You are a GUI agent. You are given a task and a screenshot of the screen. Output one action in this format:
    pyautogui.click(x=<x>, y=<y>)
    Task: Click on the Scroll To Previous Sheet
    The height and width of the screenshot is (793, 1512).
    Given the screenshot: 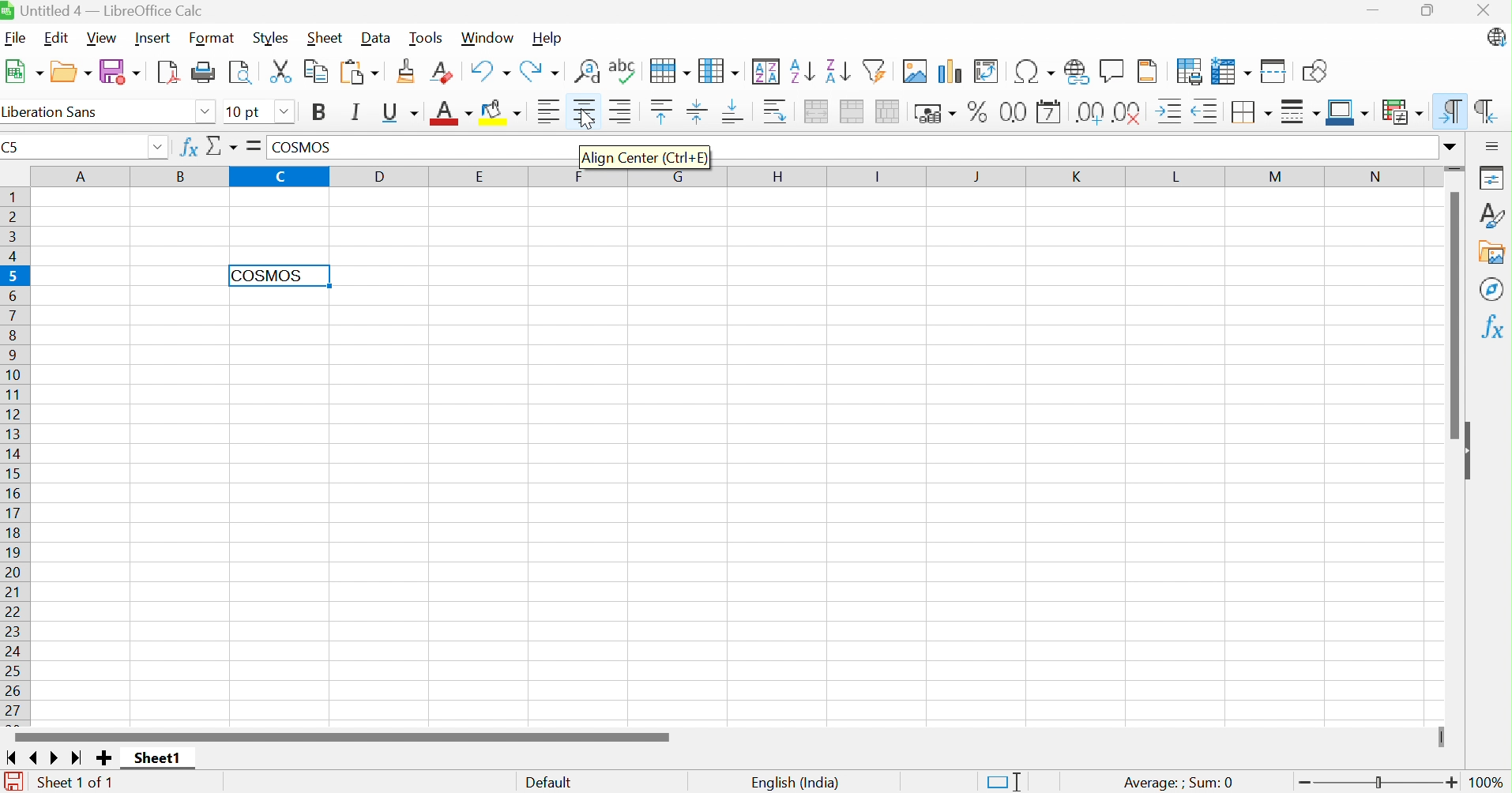 What is the action you would take?
    pyautogui.click(x=35, y=759)
    